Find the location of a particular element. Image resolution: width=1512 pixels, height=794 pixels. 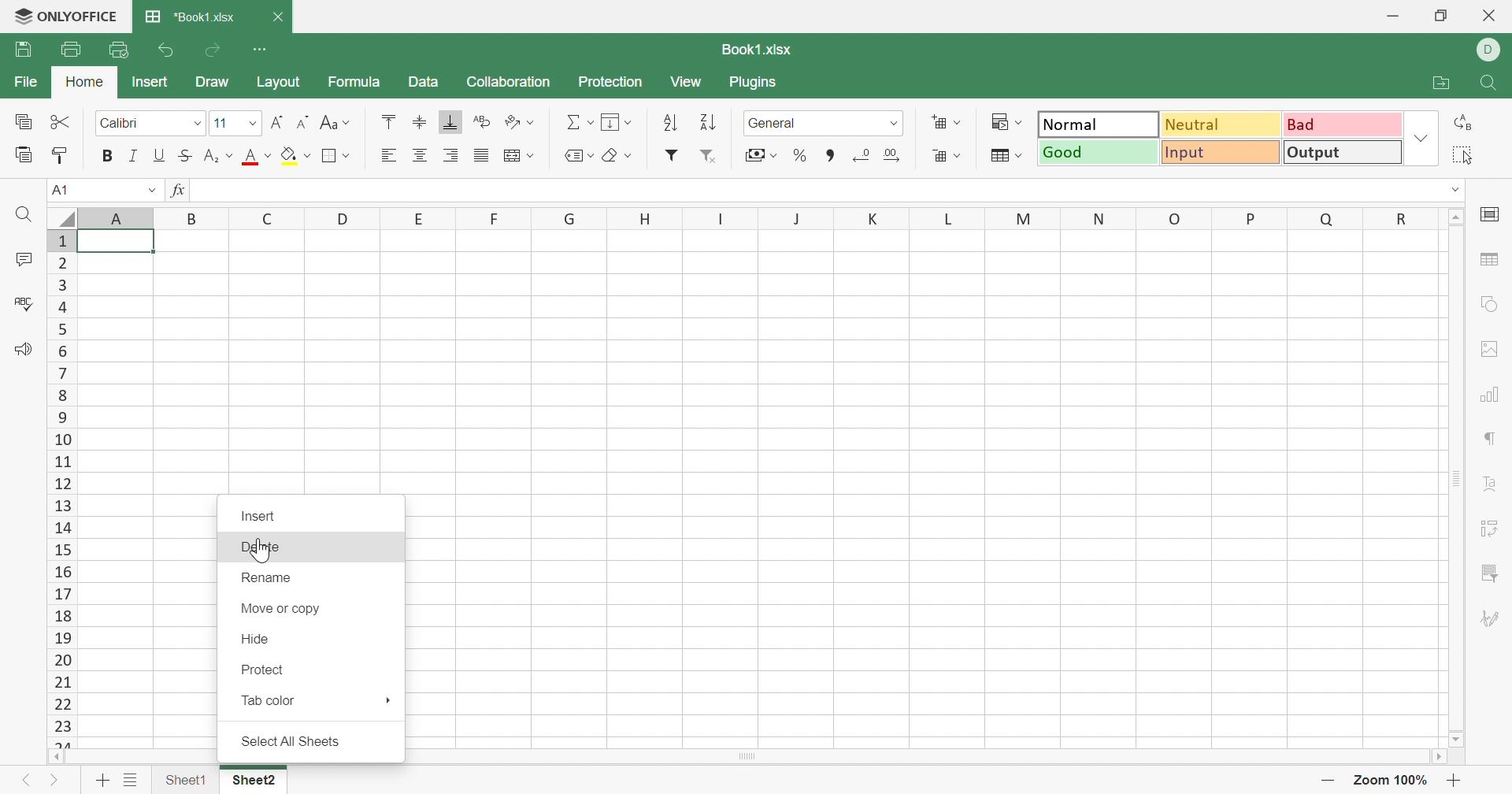

A1 is located at coordinates (65, 189).